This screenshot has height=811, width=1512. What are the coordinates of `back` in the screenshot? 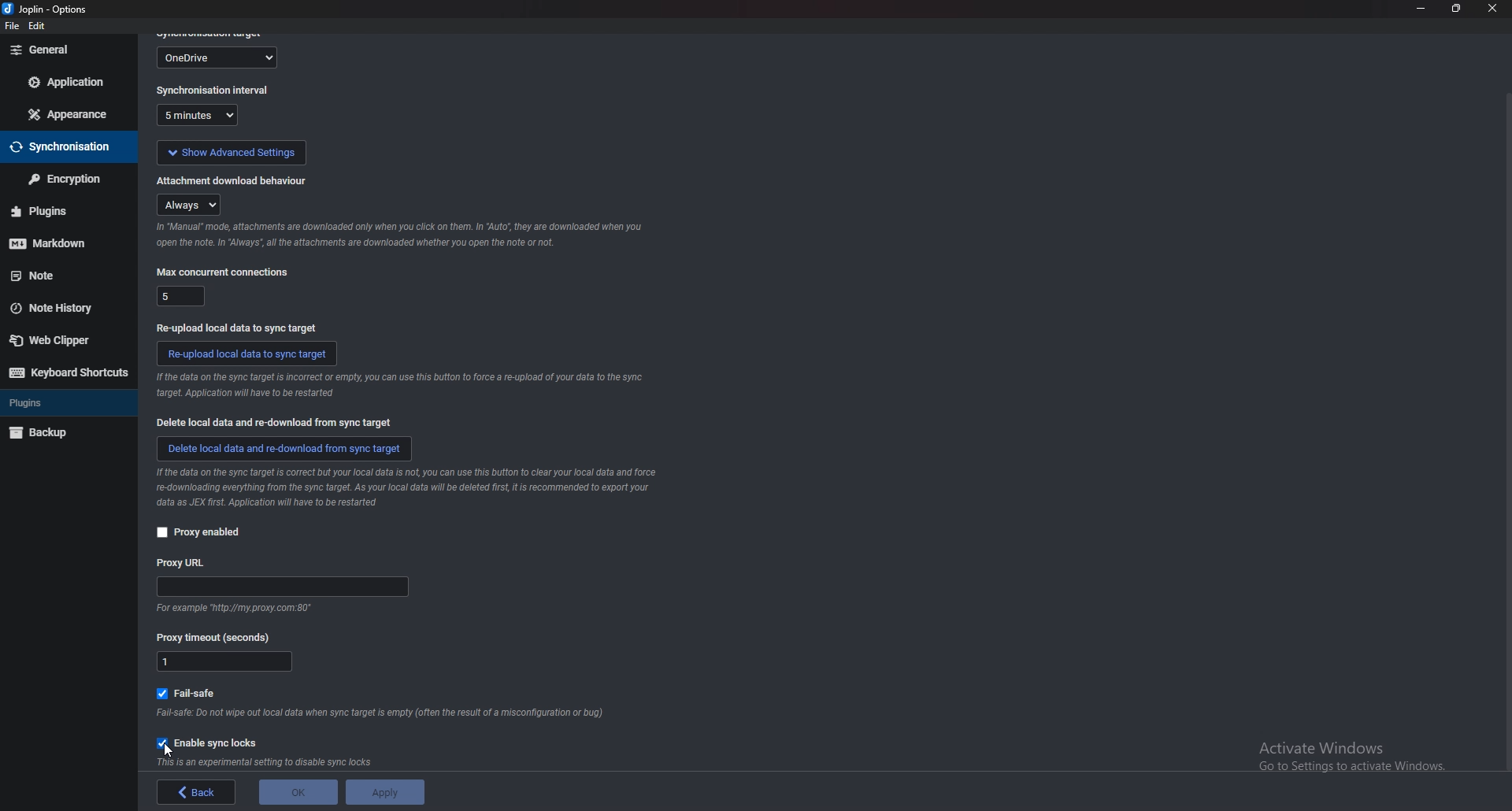 It's located at (199, 793).